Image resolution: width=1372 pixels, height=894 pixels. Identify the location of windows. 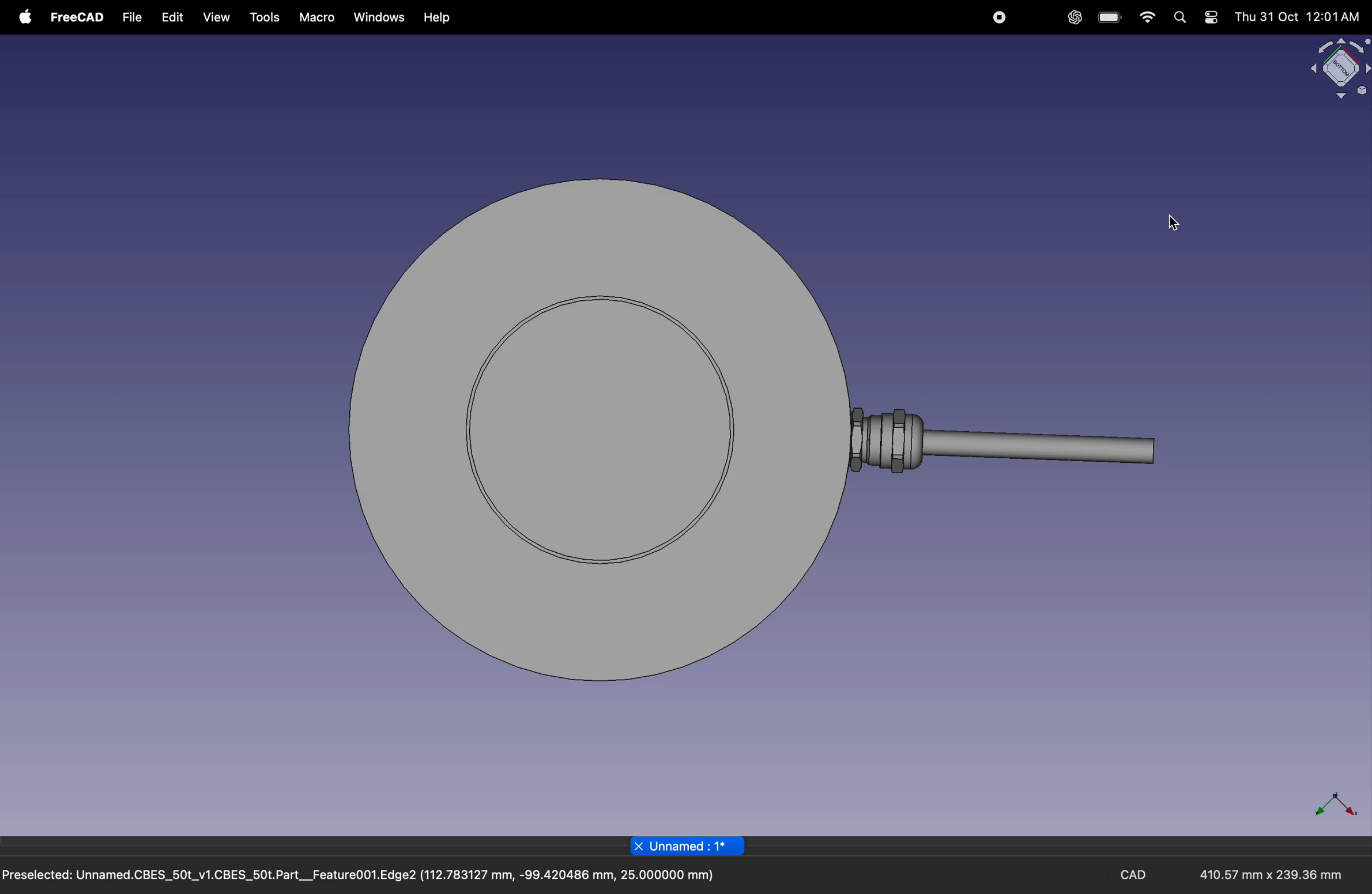
(378, 19).